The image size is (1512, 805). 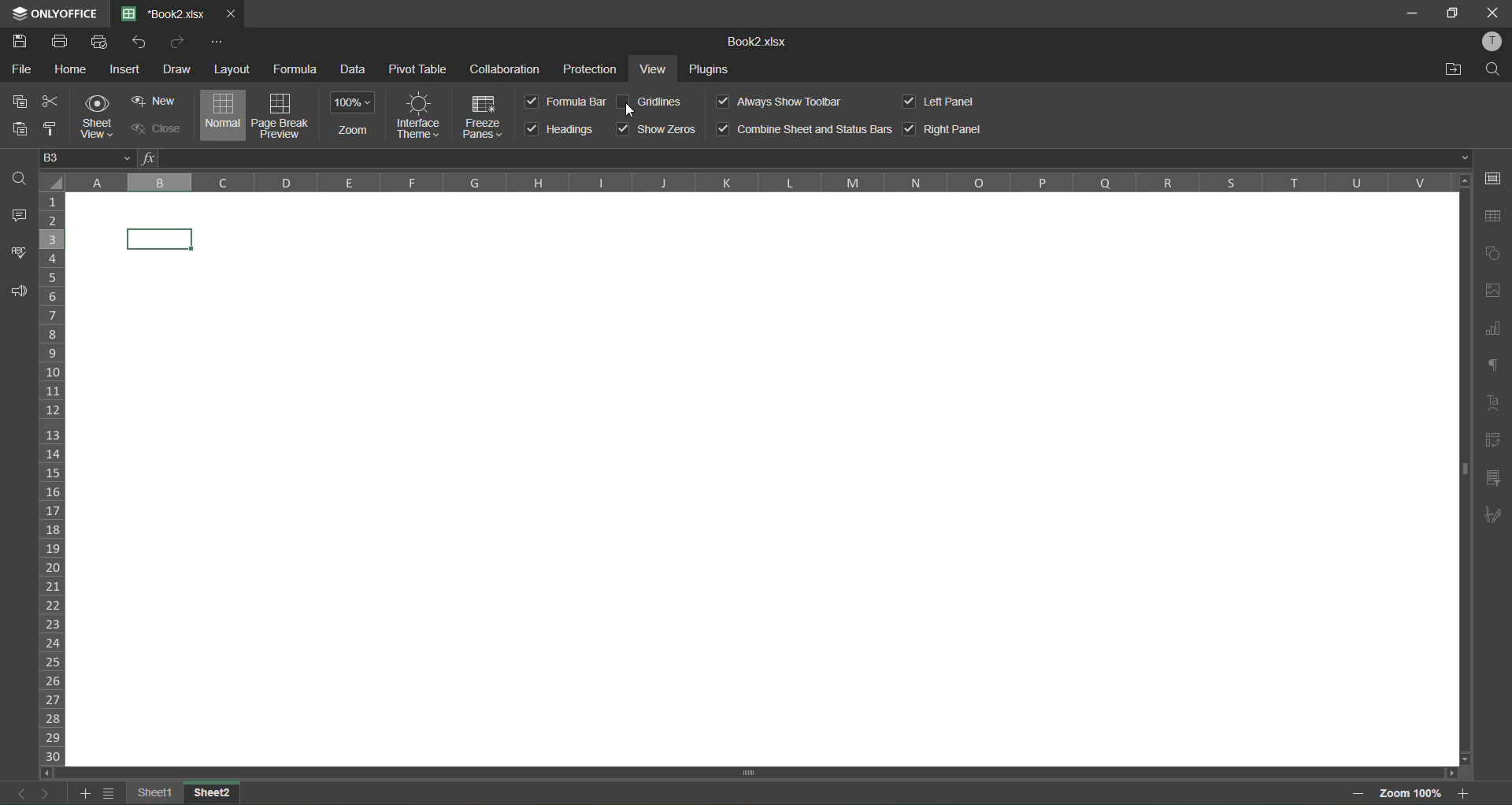 What do you see at coordinates (808, 159) in the screenshot?
I see `formula bar` at bounding box center [808, 159].